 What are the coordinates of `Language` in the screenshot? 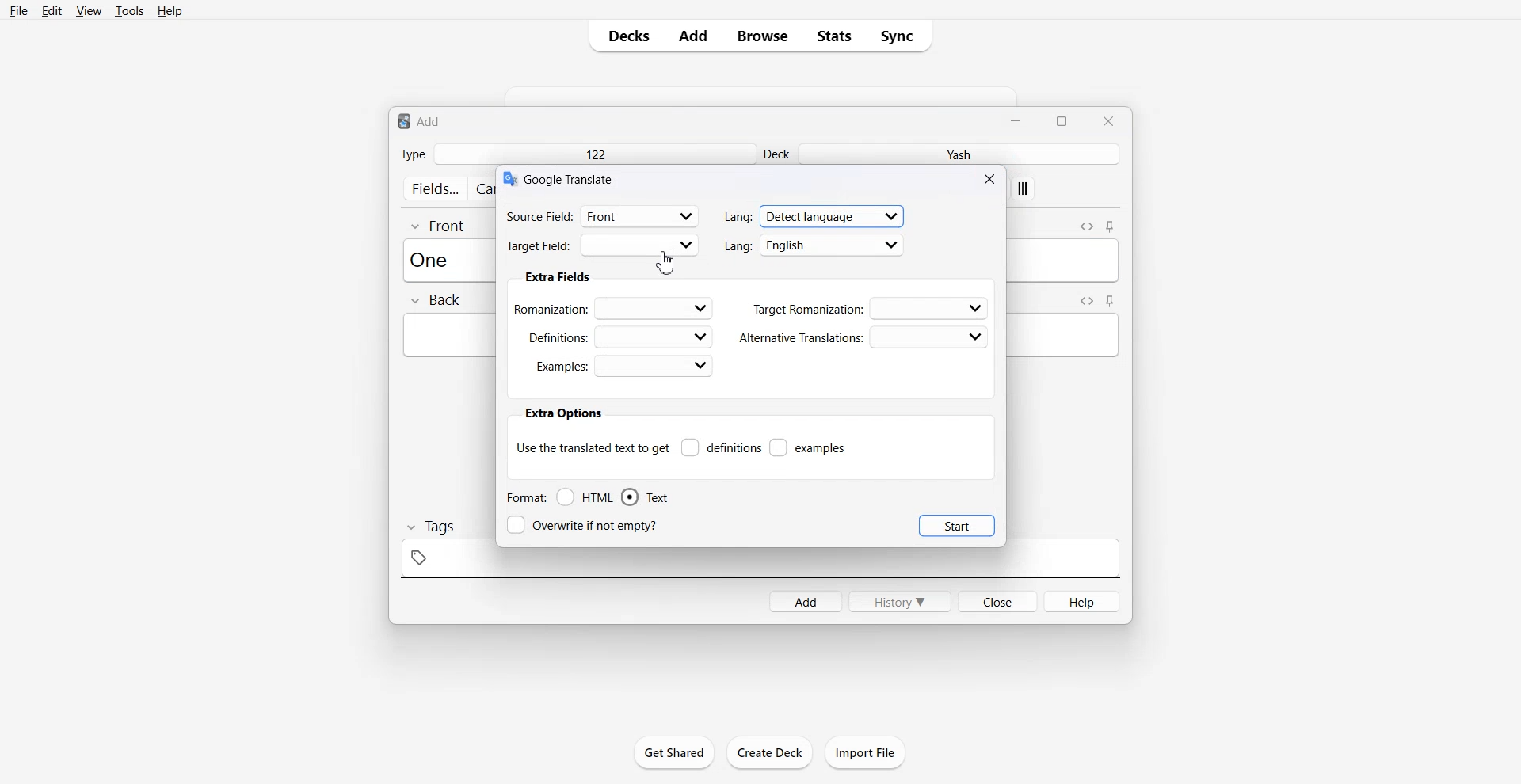 It's located at (814, 215).